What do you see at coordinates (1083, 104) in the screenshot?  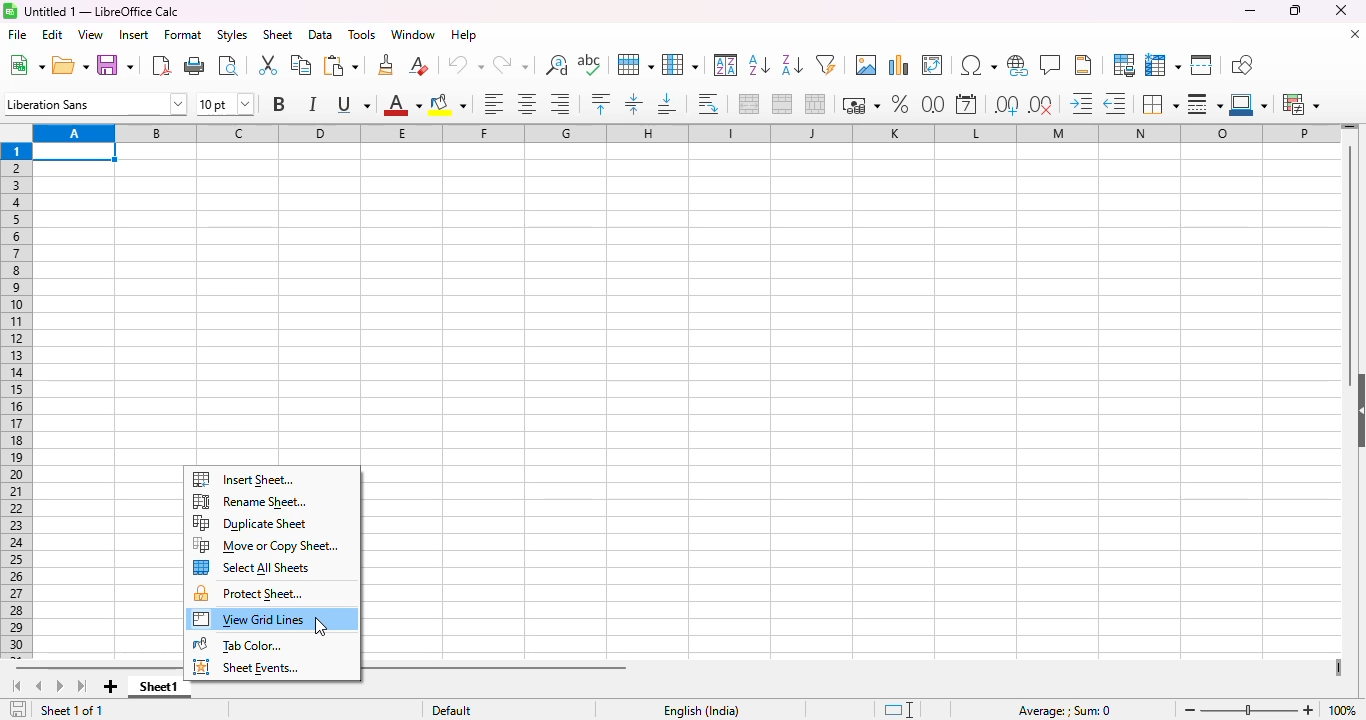 I see `increase indent` at bounding box center [1083, 104].